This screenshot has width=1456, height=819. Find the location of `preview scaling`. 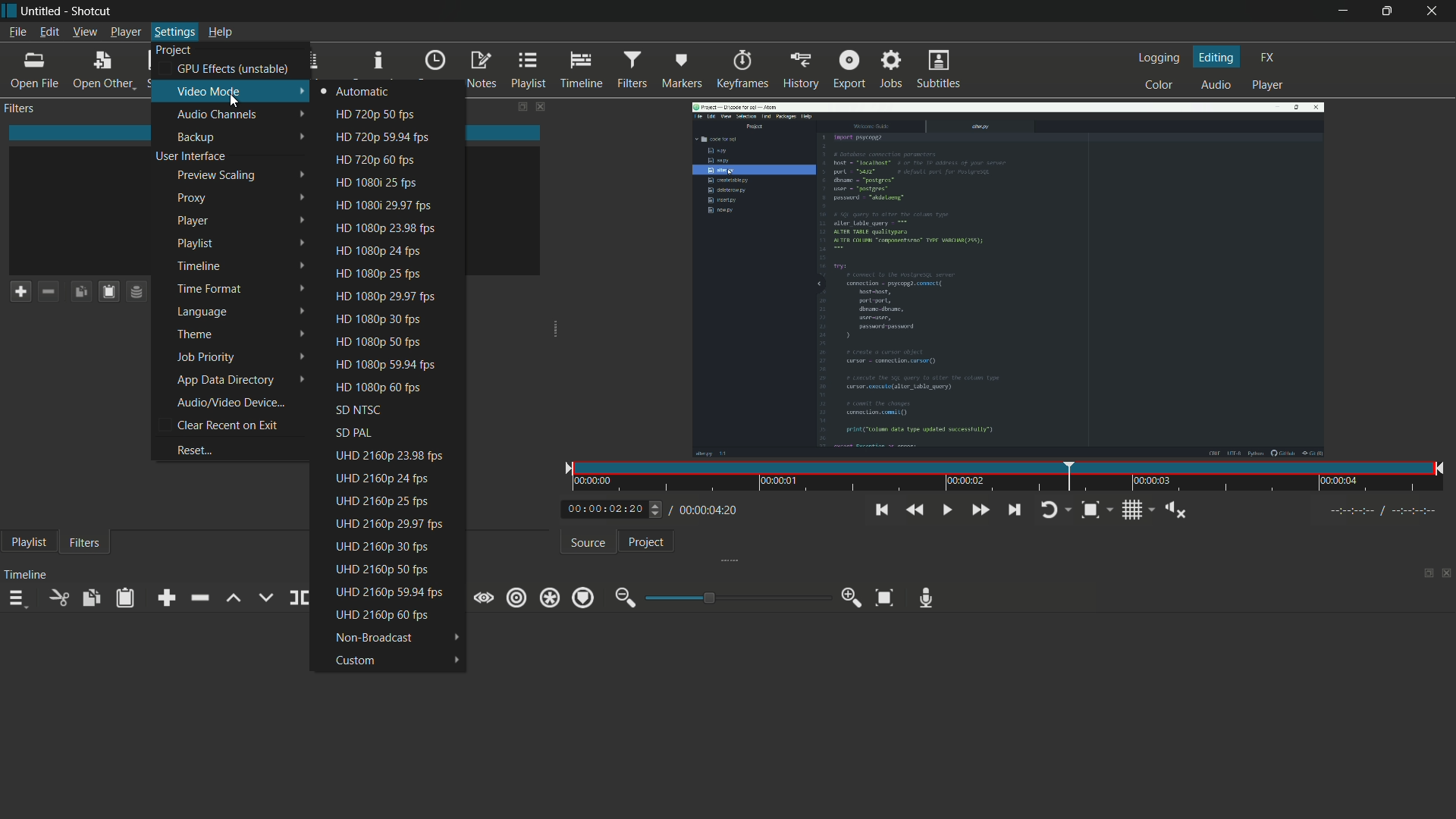

preview scaling is located at coordinates (238, 174).